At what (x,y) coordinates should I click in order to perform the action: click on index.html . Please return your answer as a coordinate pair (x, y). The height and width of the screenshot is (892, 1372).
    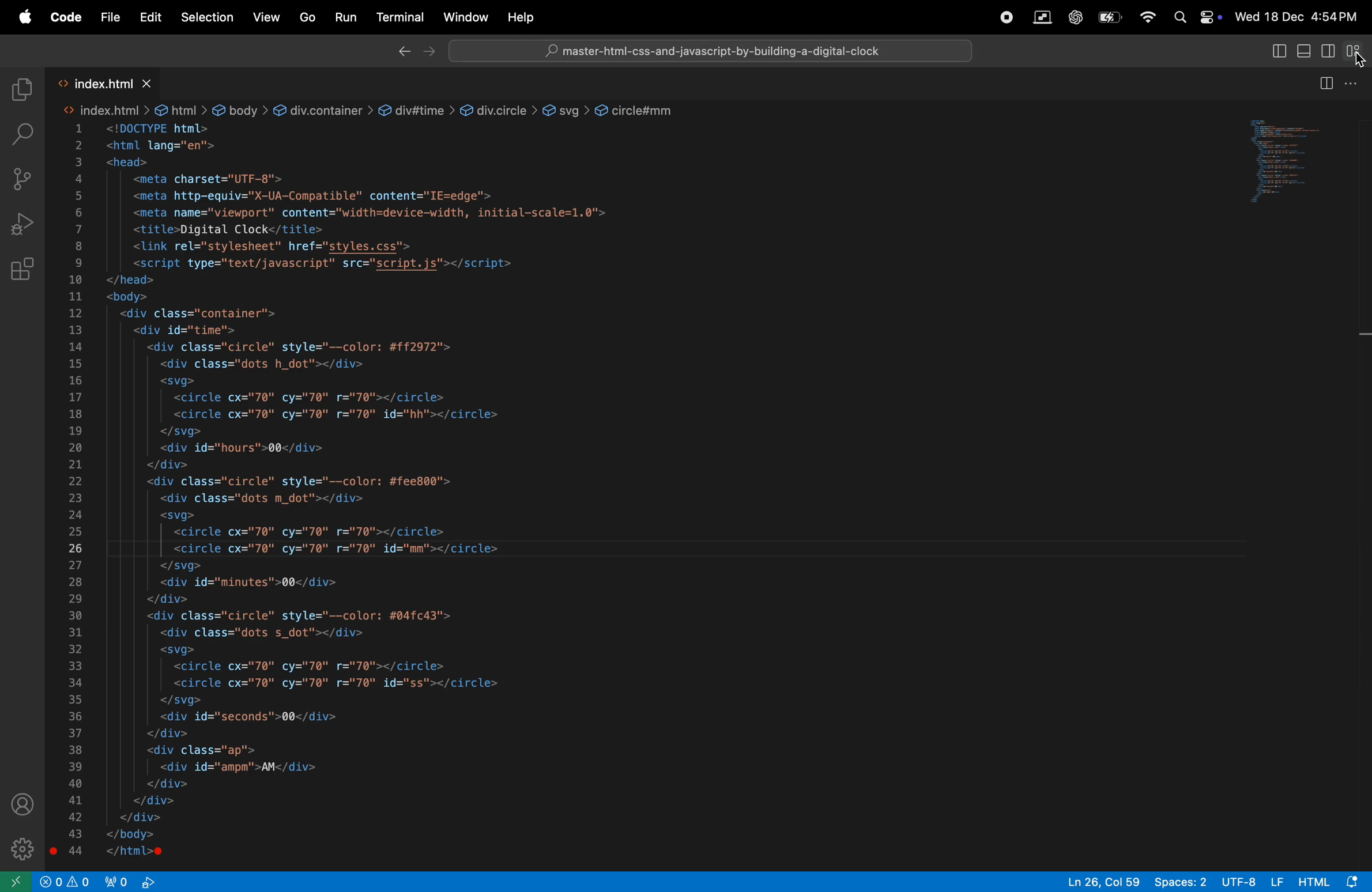
    Looking at the image, I should click on (111, 84).